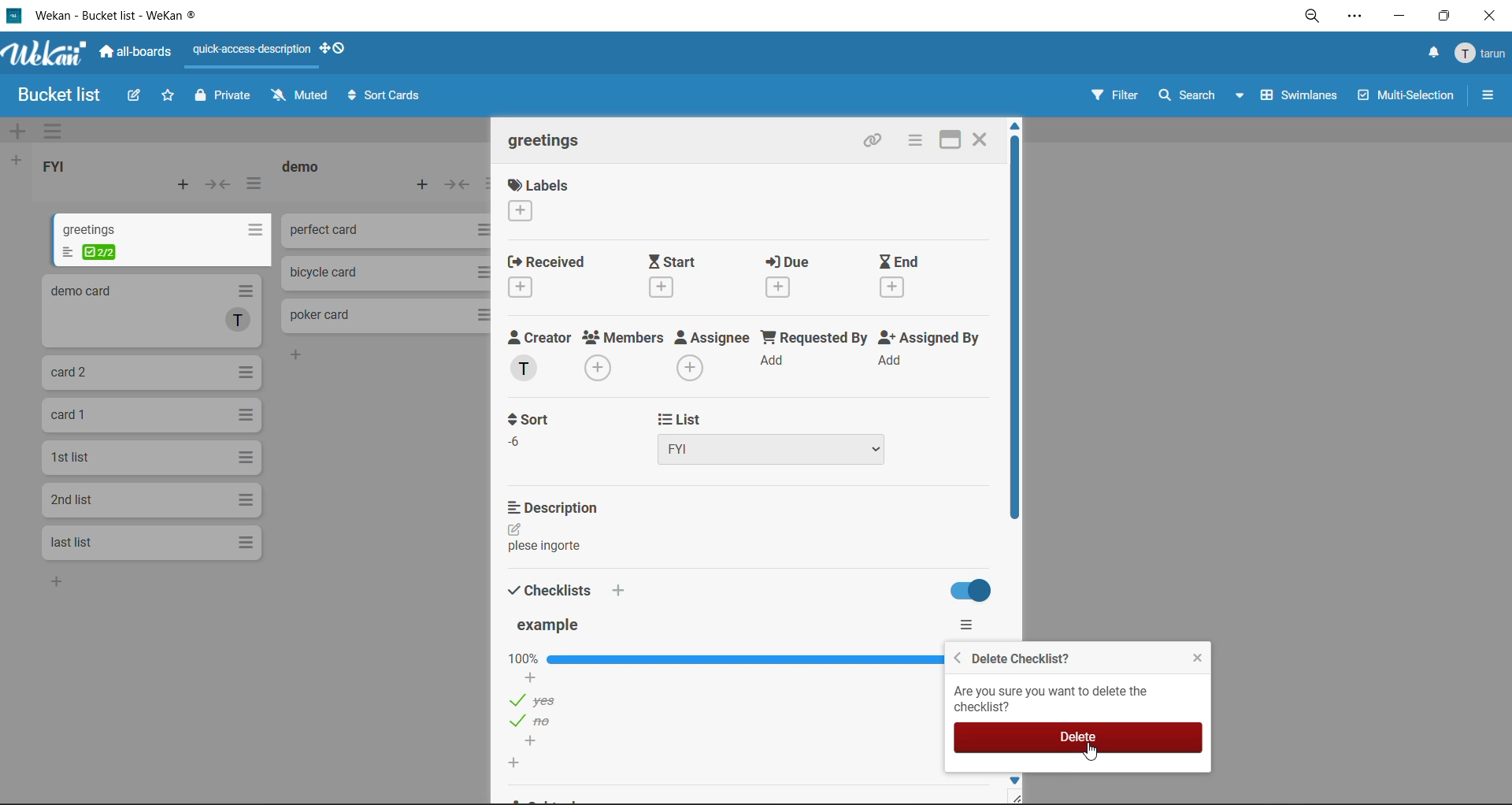 The width and height of the screenshot is (1512, 805). I want to click on assignee, so click(706, 355).